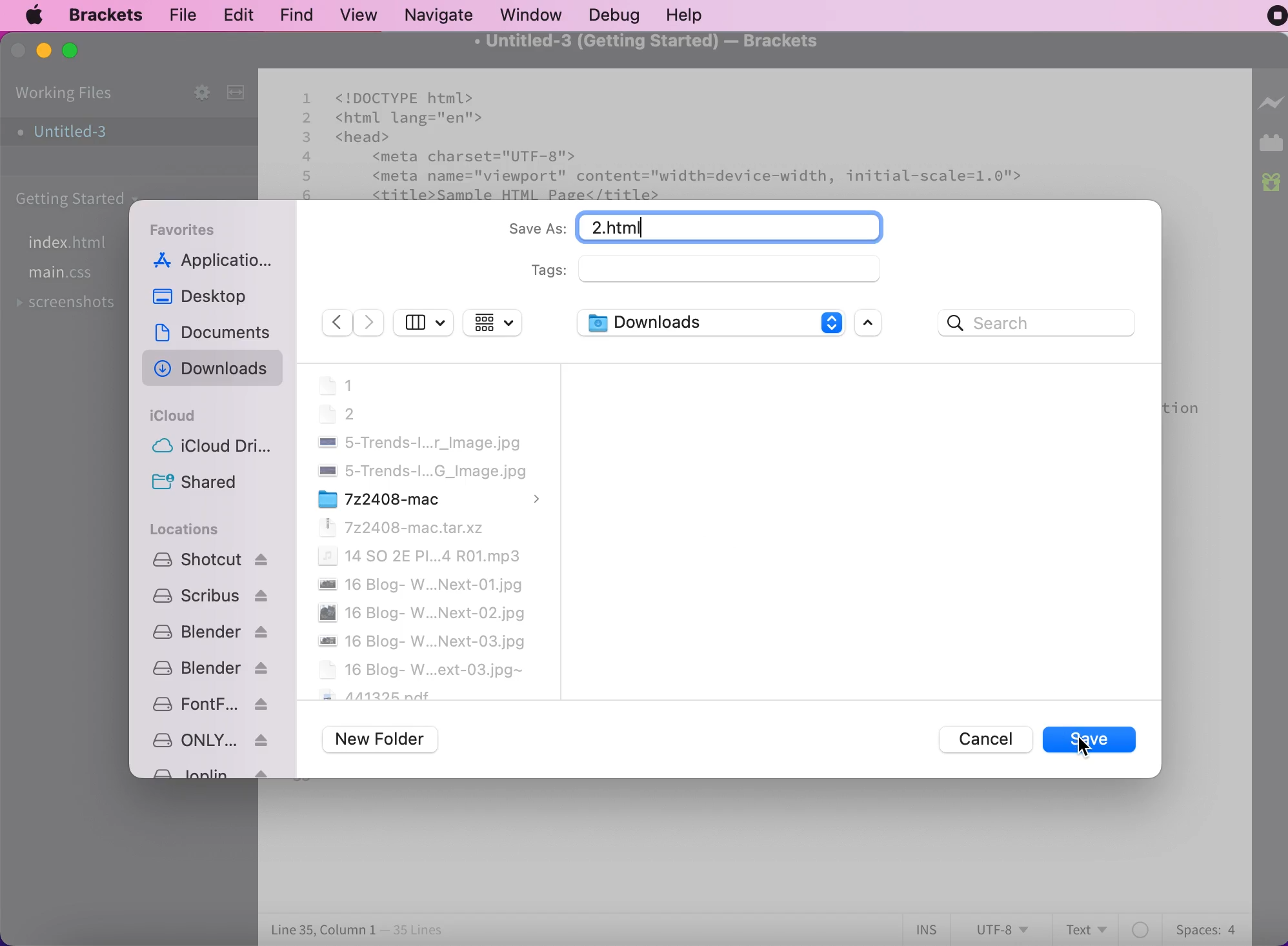 The width and height of the screenshot is (1288, 946). I want to click on getting started carpet, so click(72, 201).